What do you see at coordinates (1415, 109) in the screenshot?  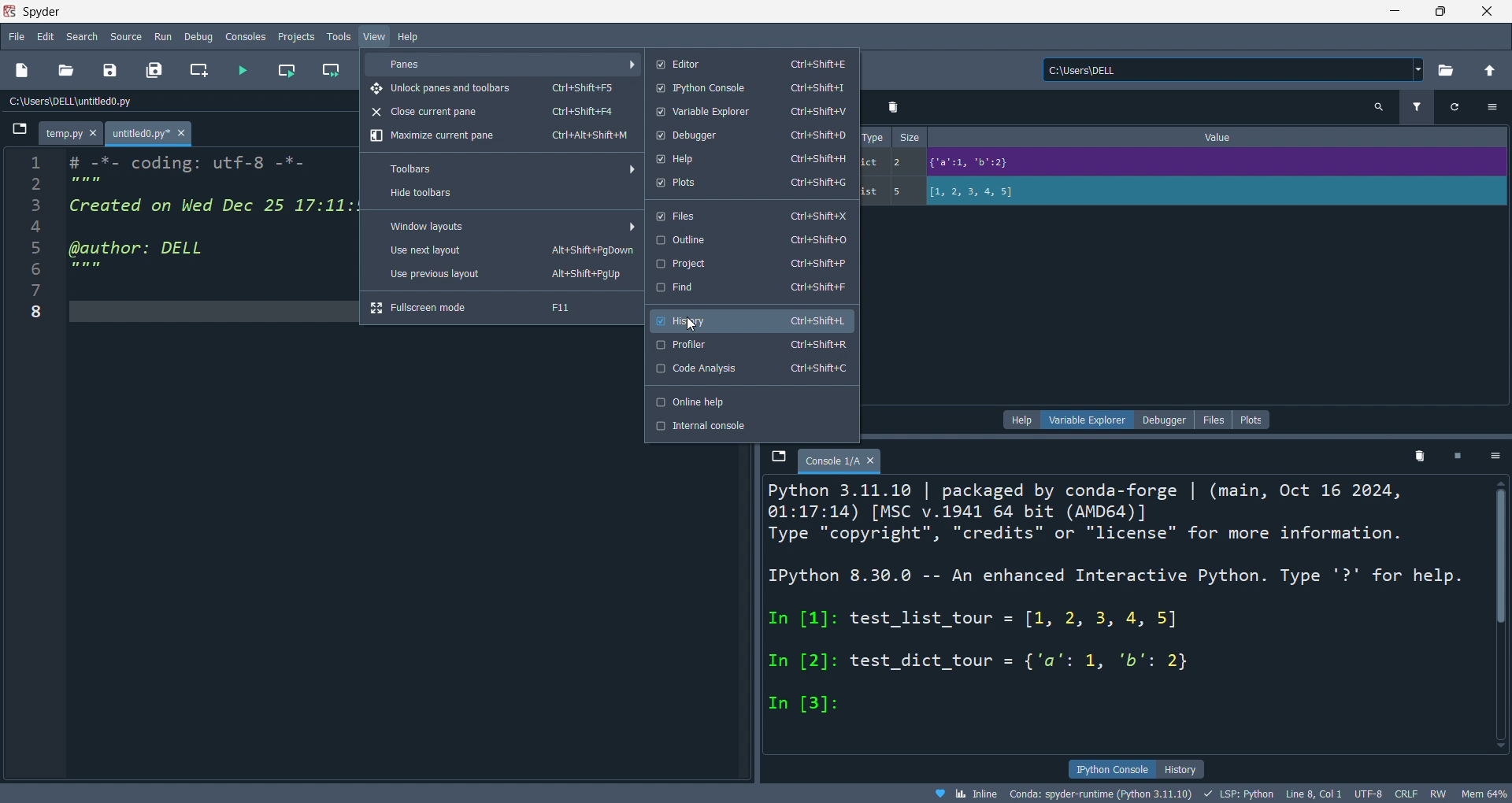 I see `filter` at bounding box center [1415, 109].